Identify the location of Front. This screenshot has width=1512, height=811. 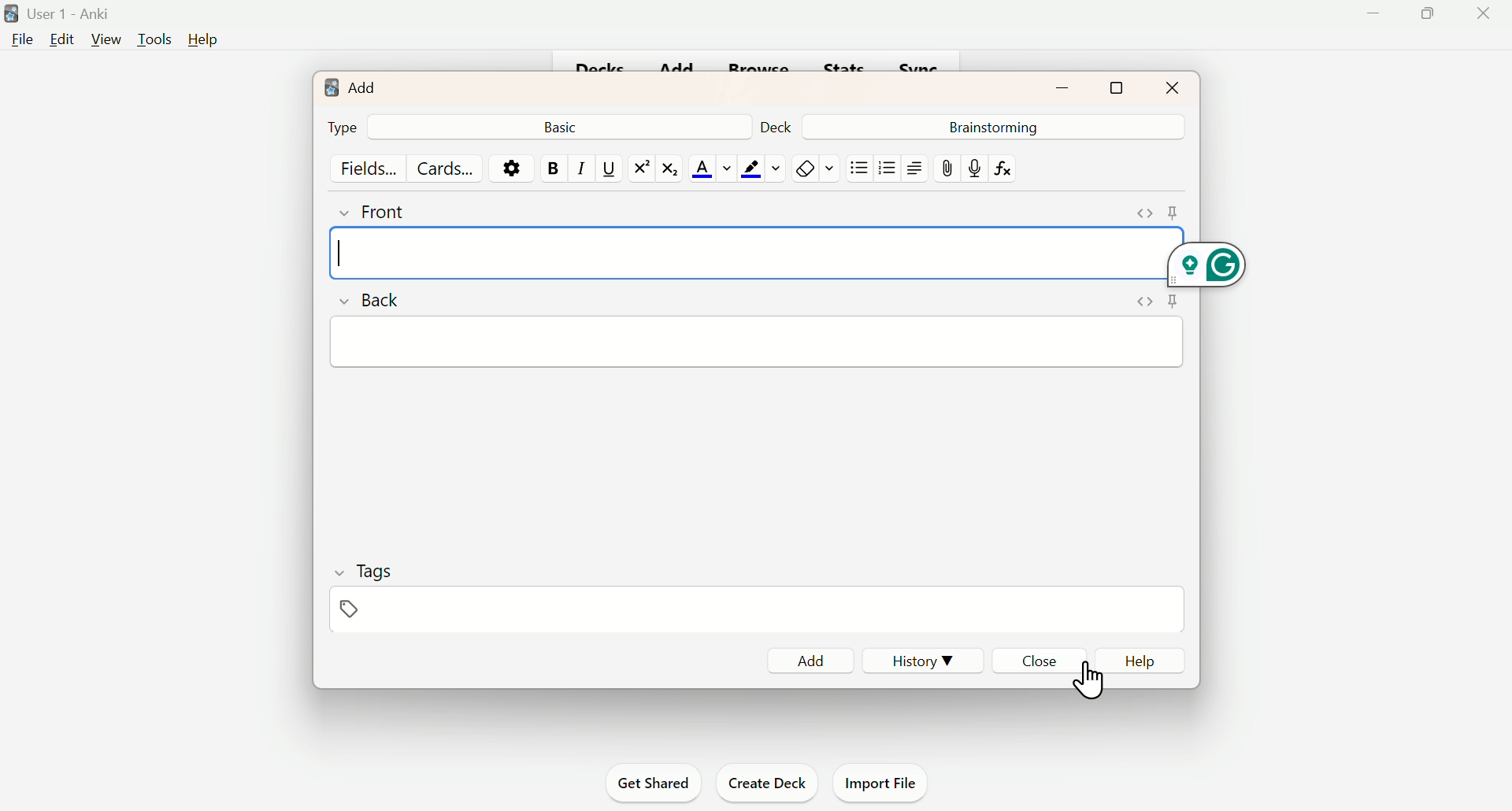
(388, 209).